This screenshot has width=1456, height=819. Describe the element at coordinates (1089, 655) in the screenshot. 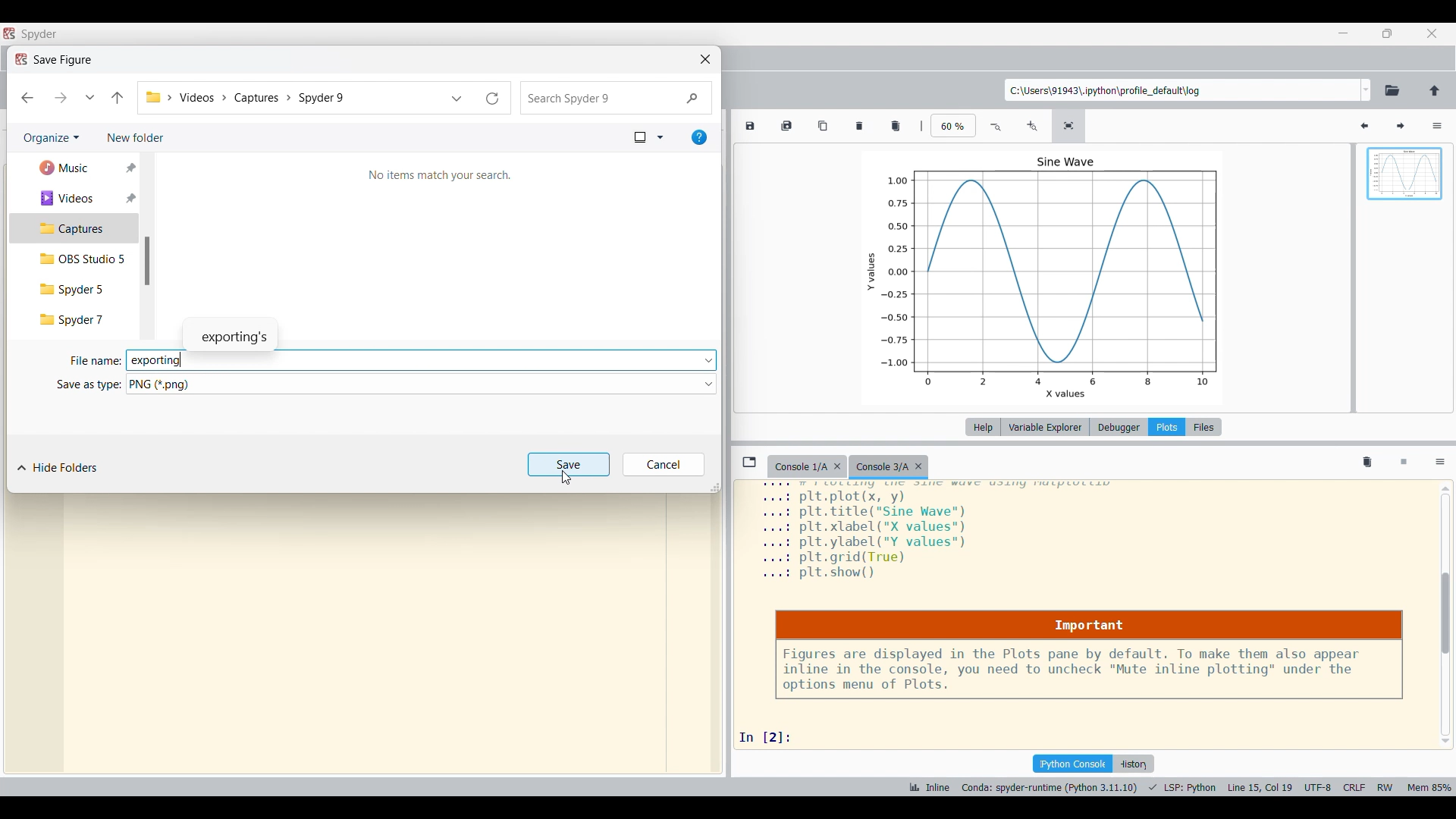

I see `Notice` at that location.